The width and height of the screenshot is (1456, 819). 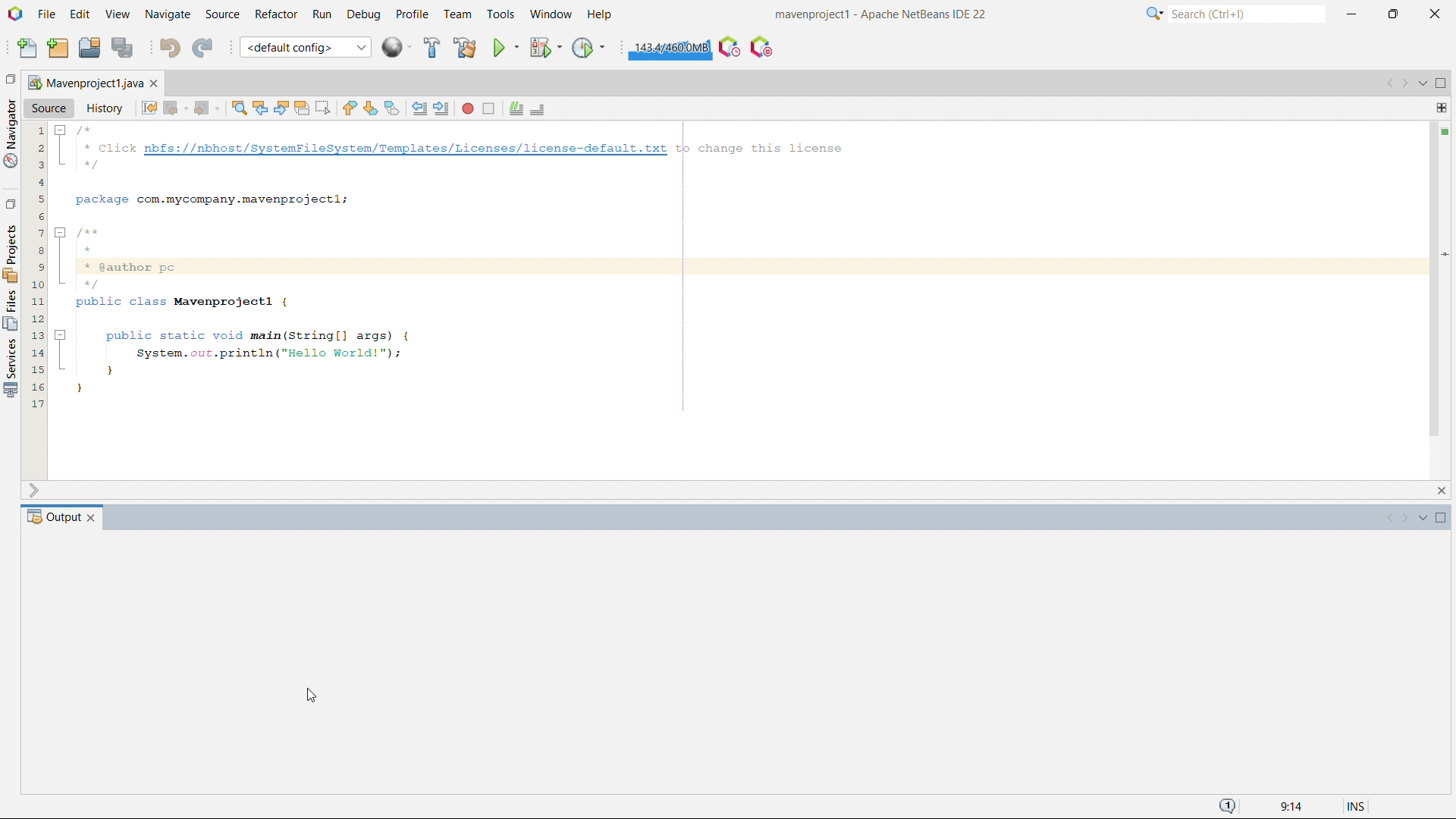 I want to click on greyed navigation button , so click(x=1392, y=84).